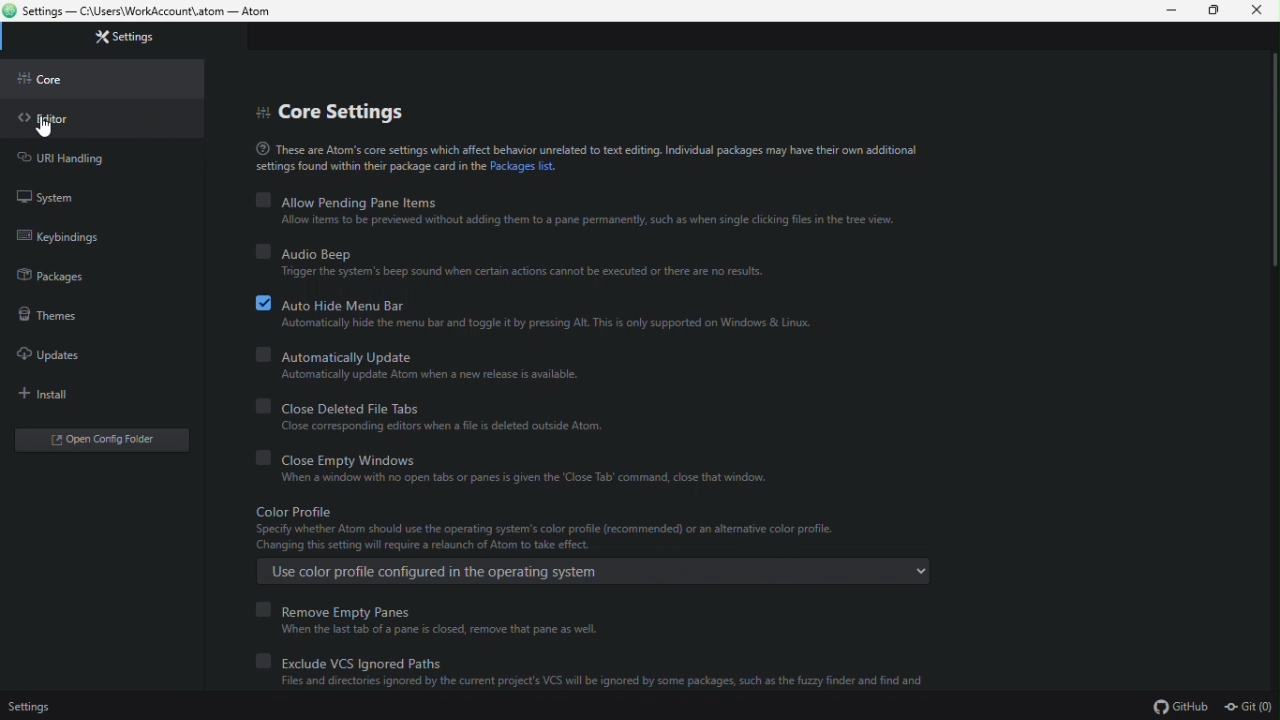 Image resolution: width=1280 pixels, height=720 pixels. Describe the element at coordinates (1272, 165) in the screenshot. I see `Scroll bar` at that location.